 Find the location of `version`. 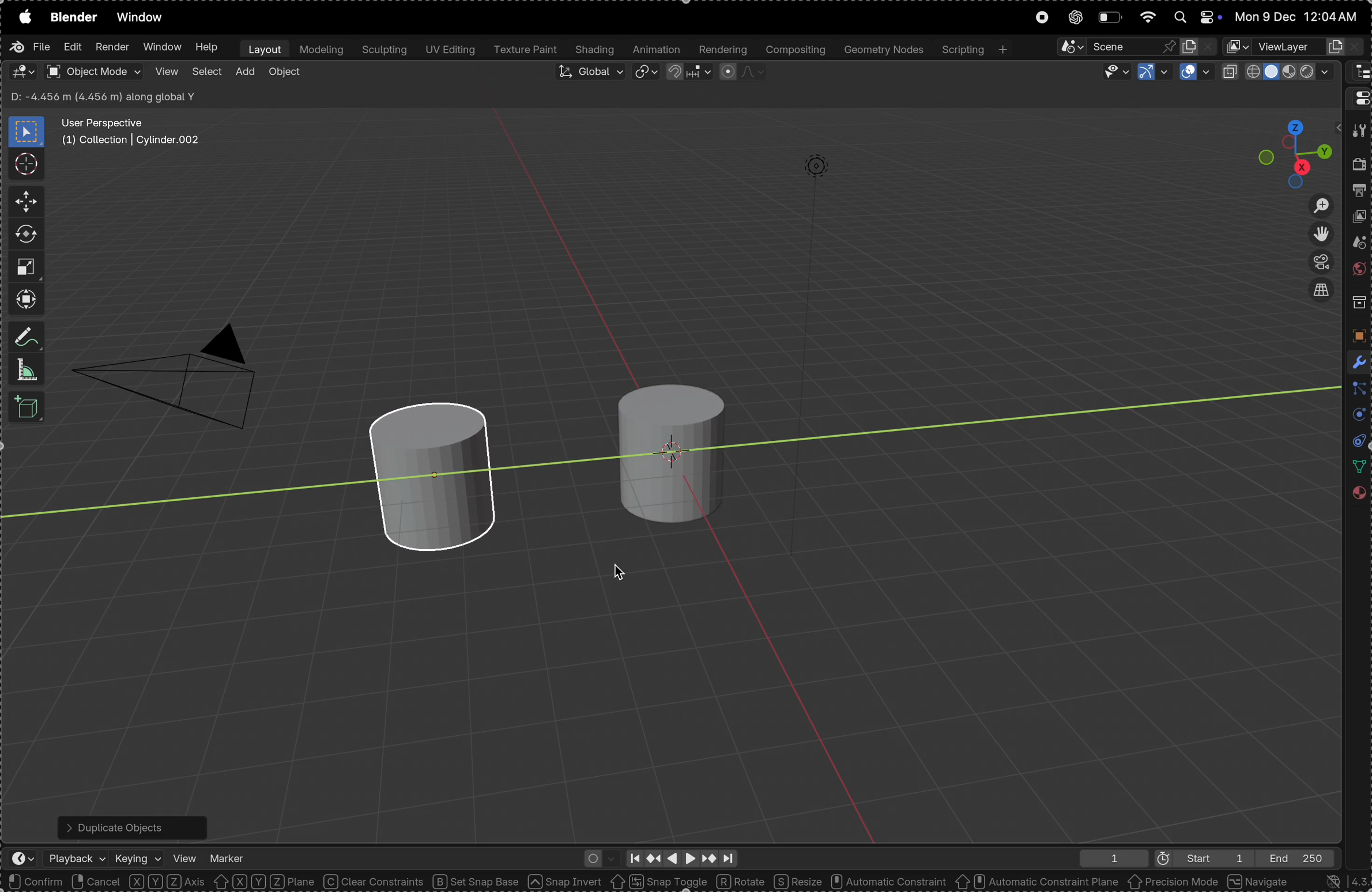

version is located at coordinates (1339, 881).